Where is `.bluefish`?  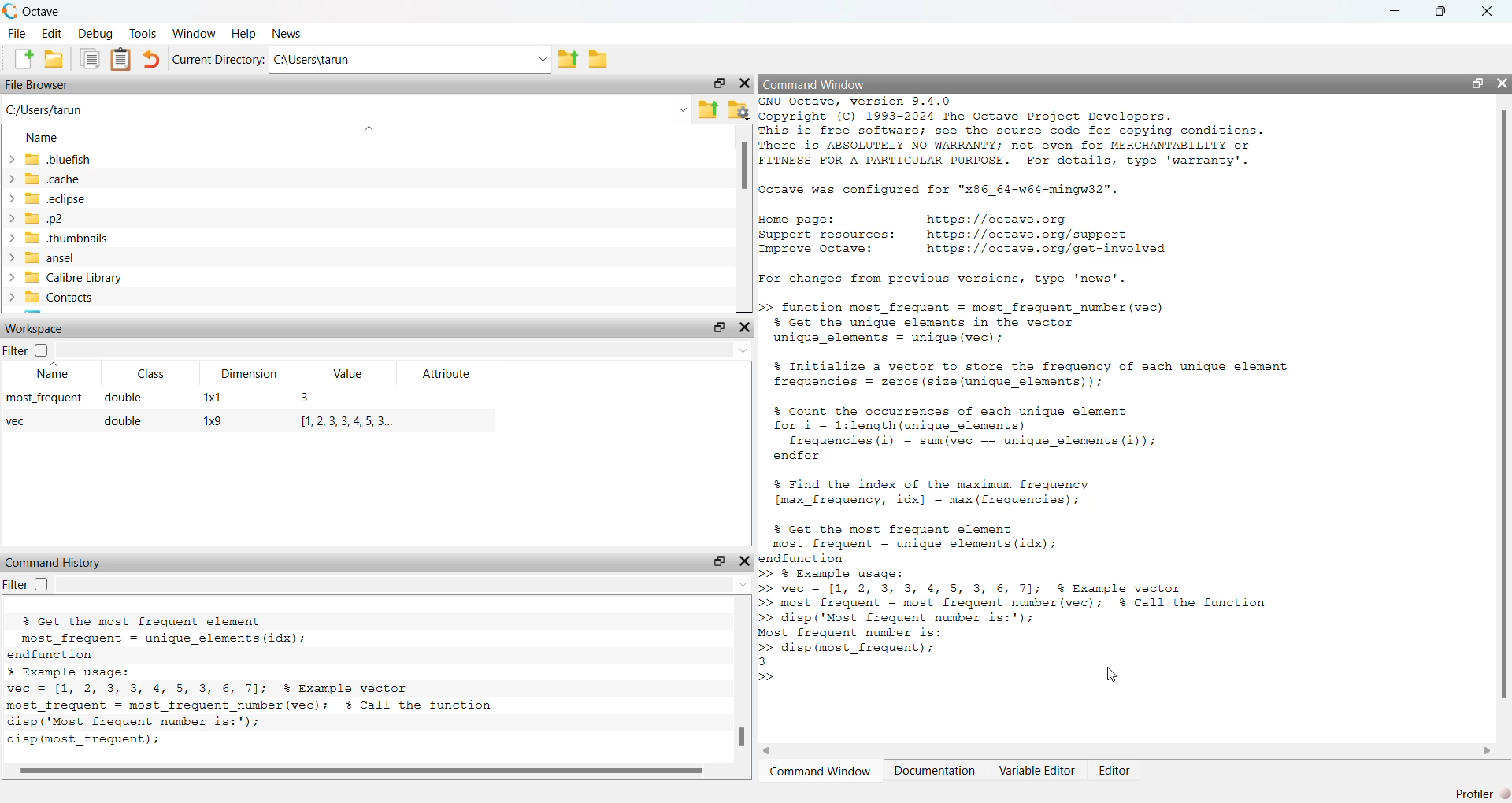
.bluefish is located at coordinates (60, 160).